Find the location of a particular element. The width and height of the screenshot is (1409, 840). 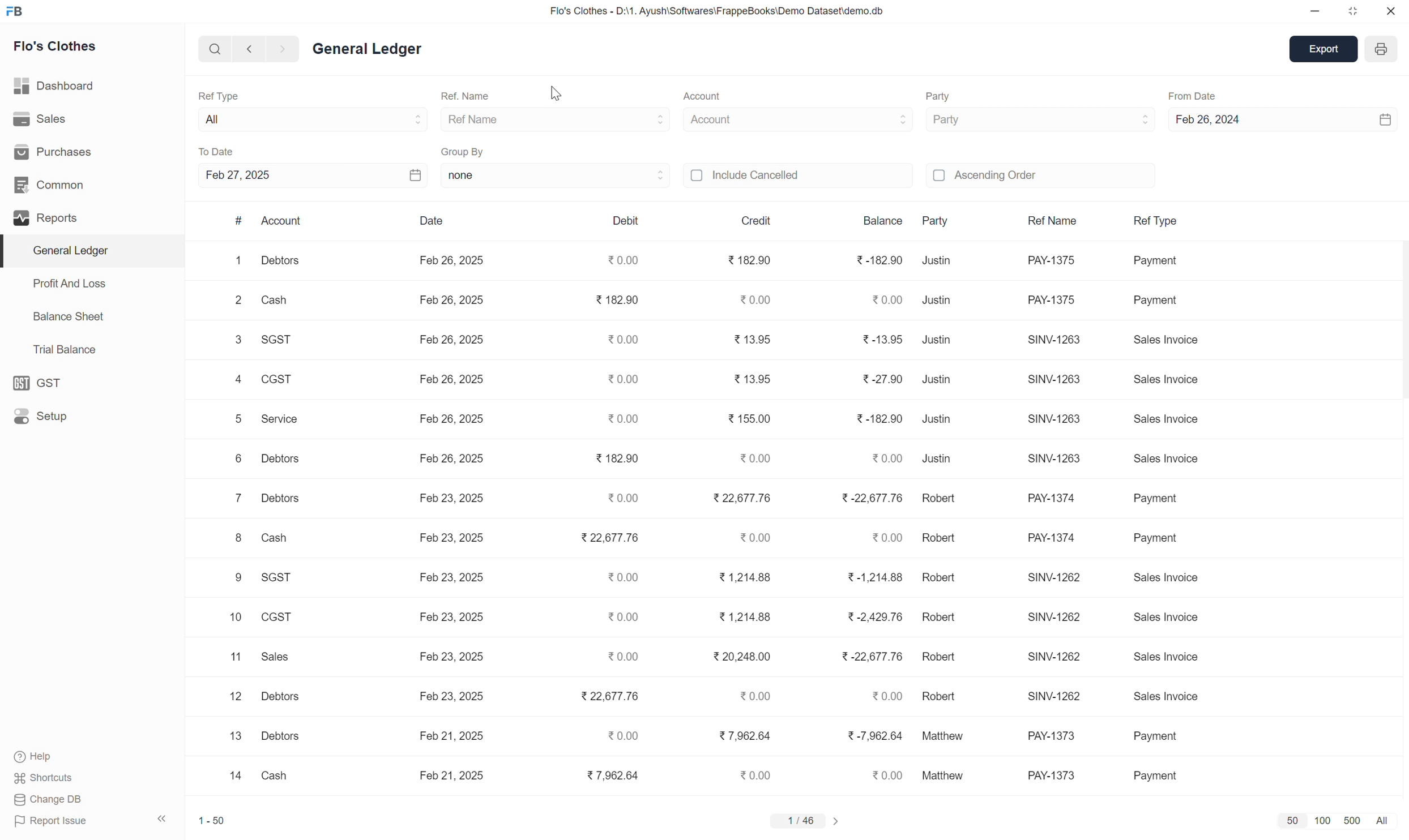

13.95 is located at coordinates (753, 379).